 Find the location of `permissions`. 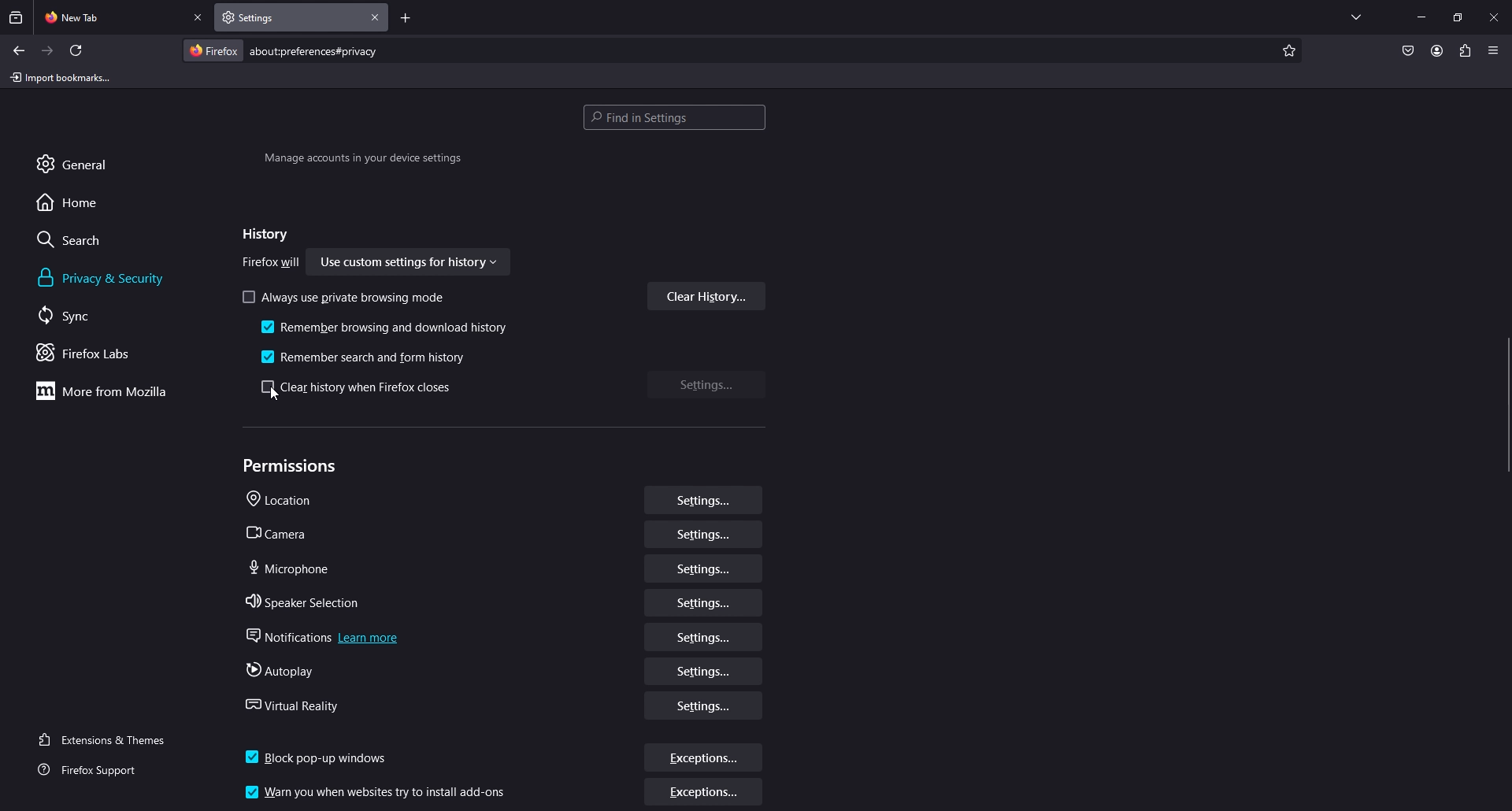

permissions is located at coordinates (294, 466).